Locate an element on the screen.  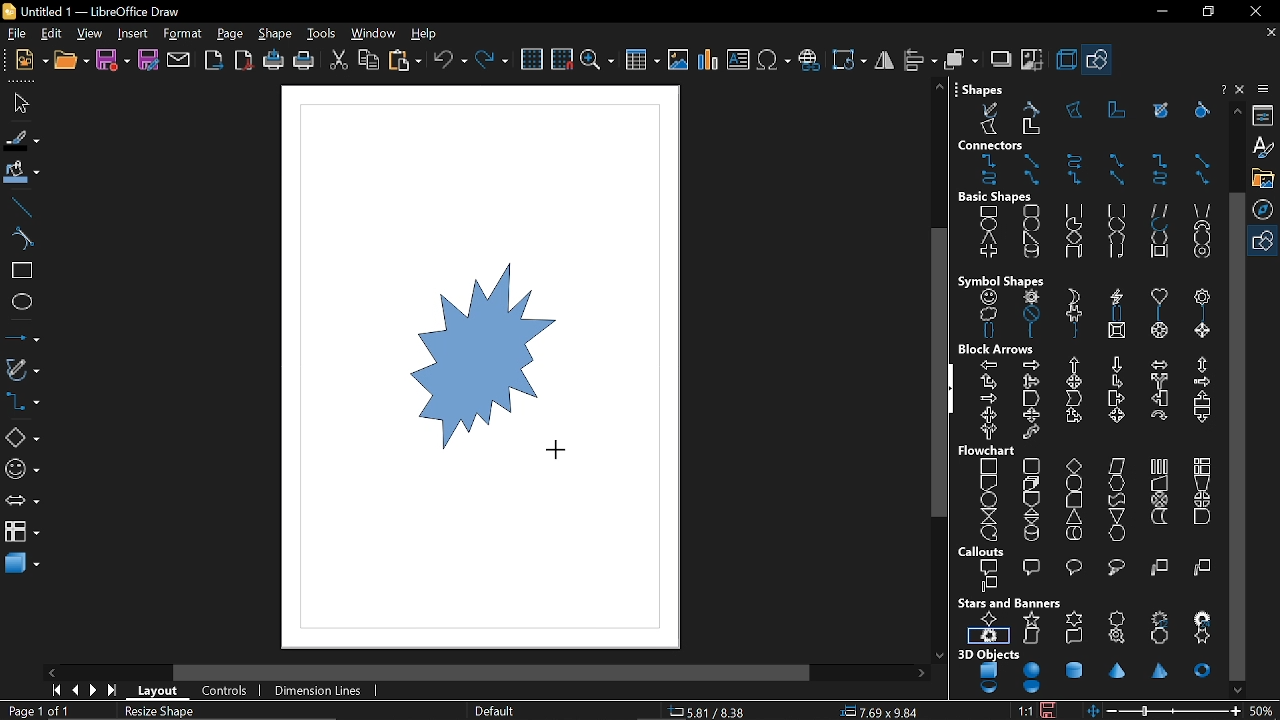
callouts is located at coordinates (1090, 569).